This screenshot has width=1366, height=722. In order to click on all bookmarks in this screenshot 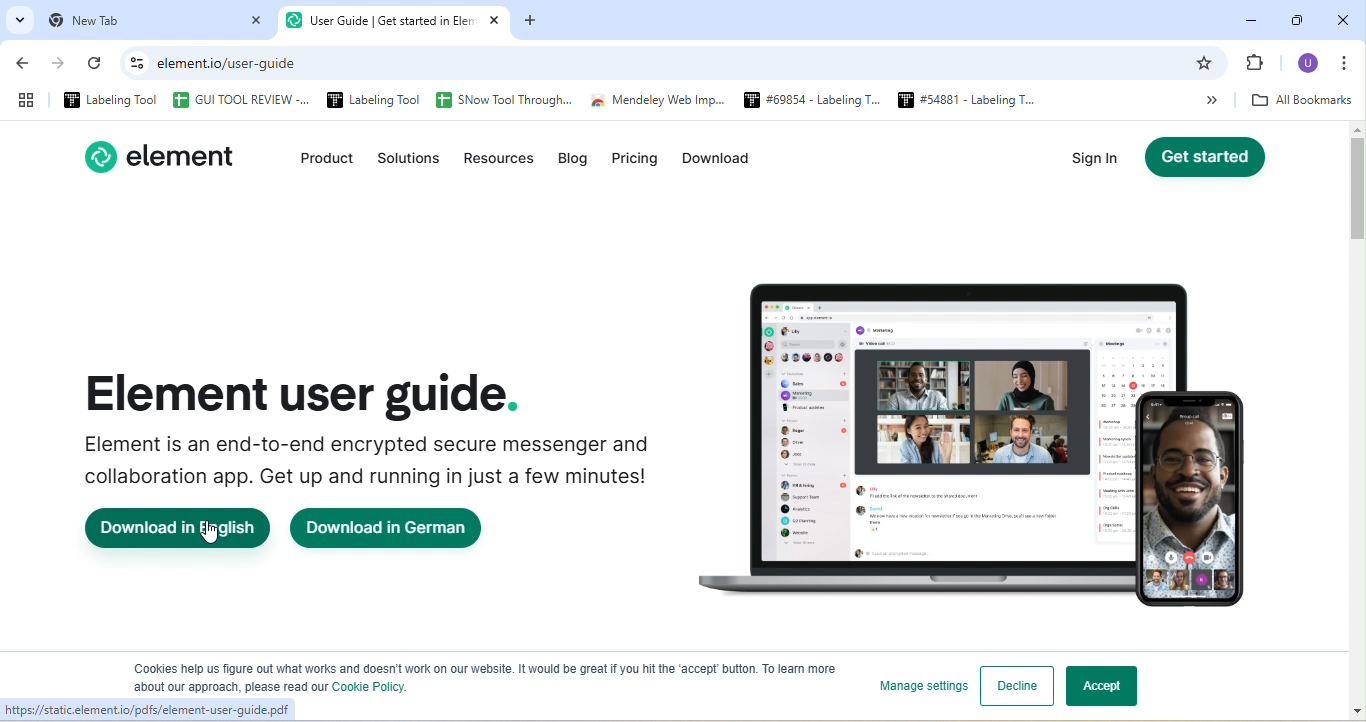, I will do `click(1302, 103)`.